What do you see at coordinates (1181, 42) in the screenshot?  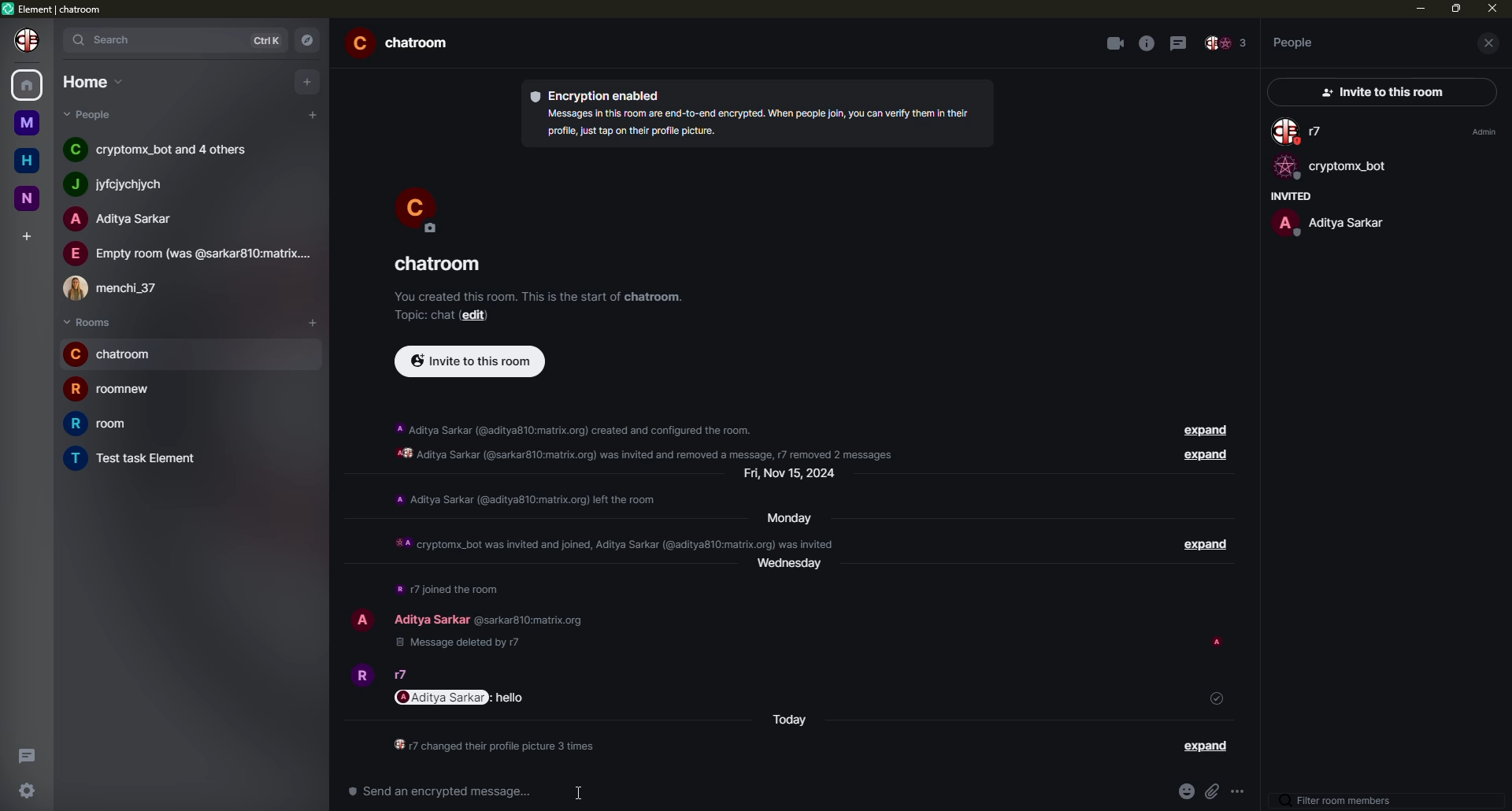 I see `threads` at bounding box center [1181, 42].